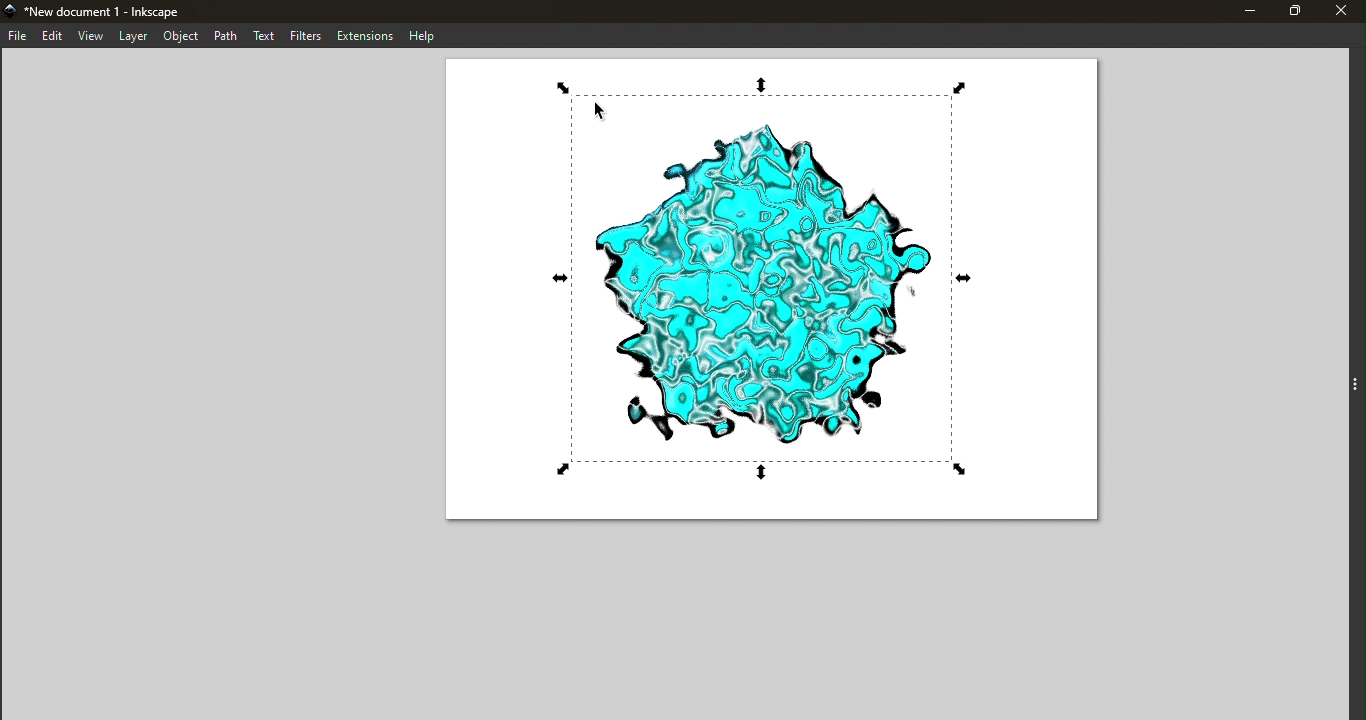  I want to click on View, so click(91, 37).